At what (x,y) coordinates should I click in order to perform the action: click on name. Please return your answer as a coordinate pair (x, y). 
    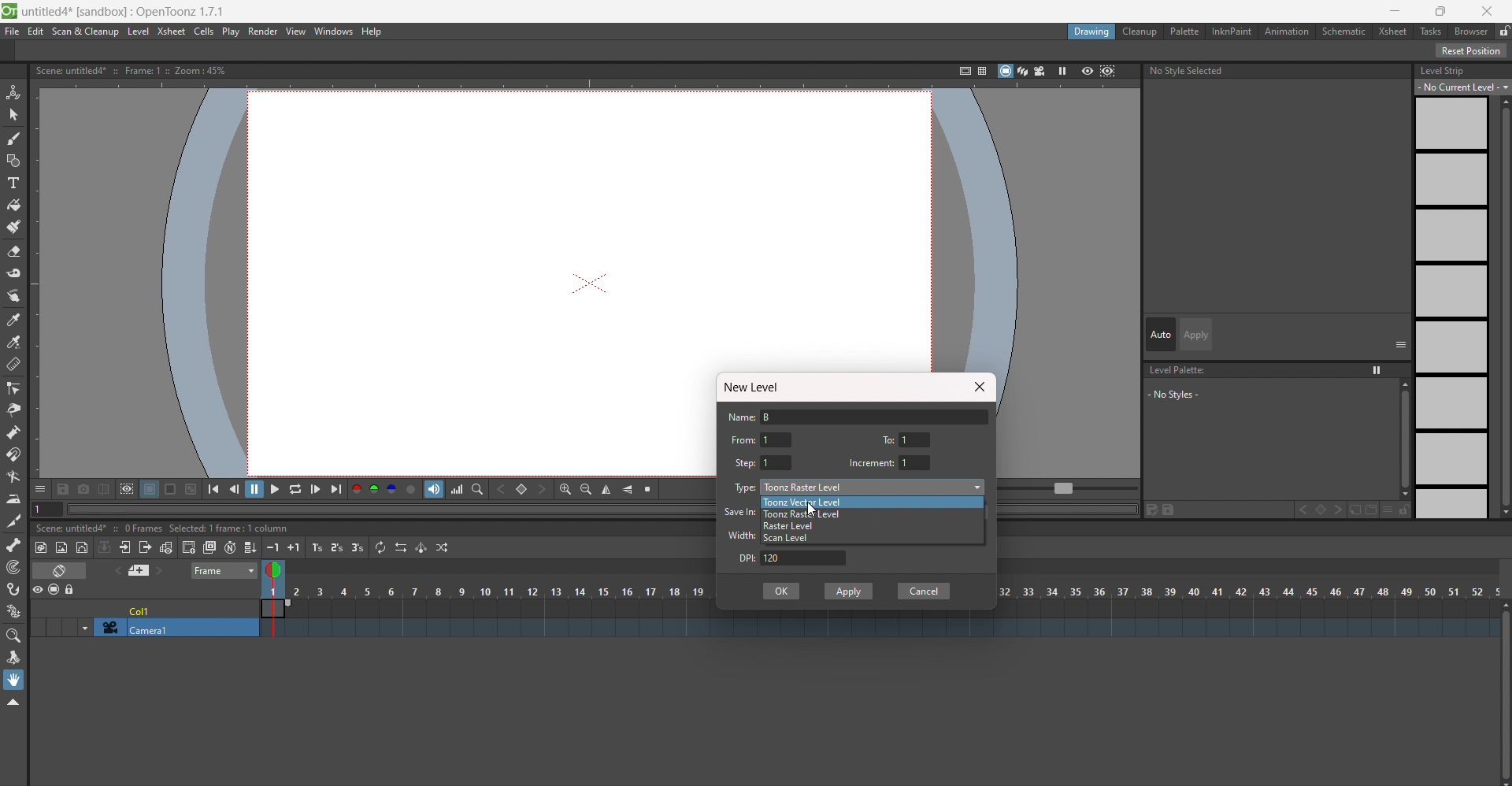
    Looking at the image, I should click on (742, 417).